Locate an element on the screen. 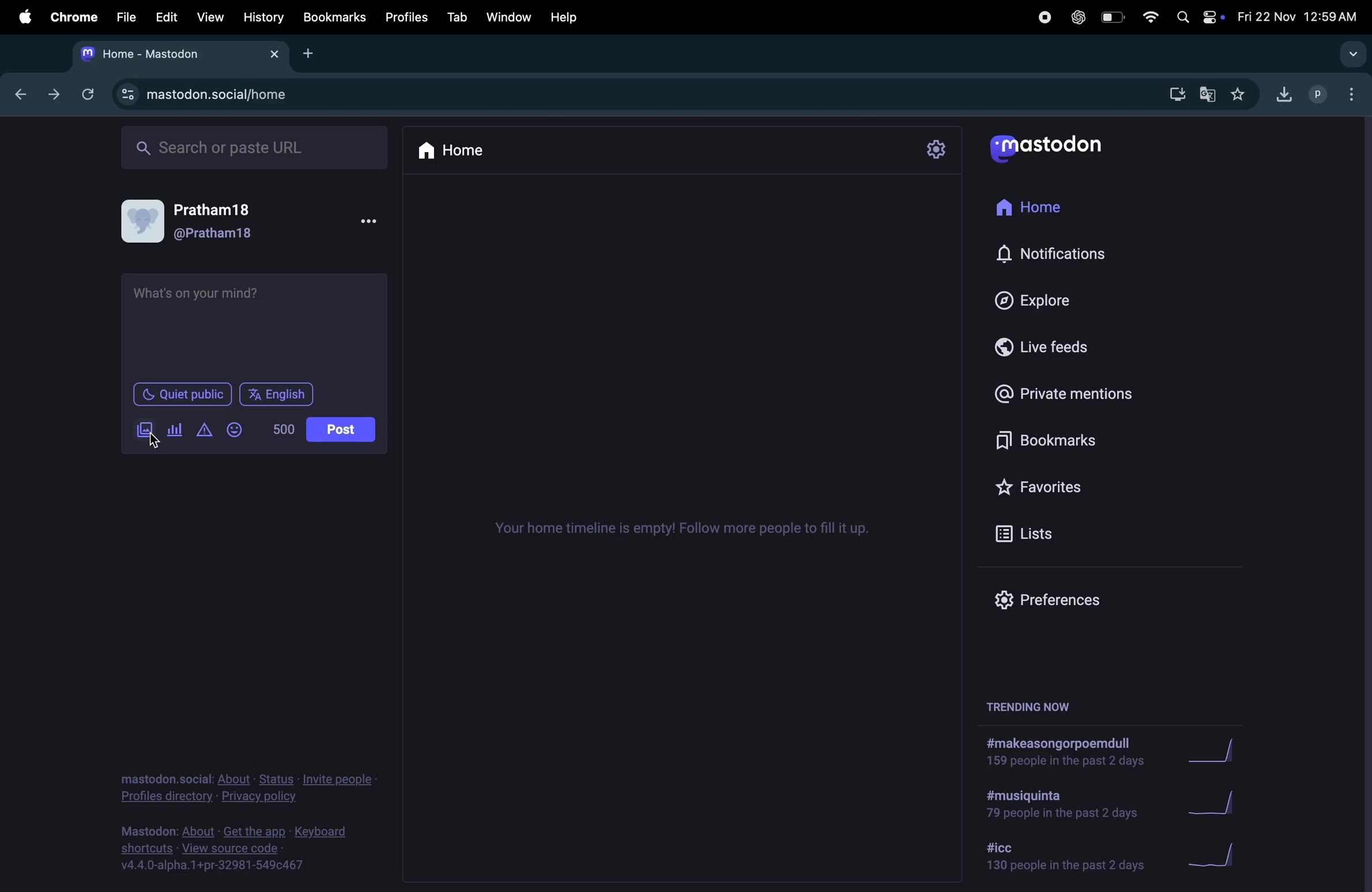 The image size is (1372, 892). source code is located at coordinates (251, 848).